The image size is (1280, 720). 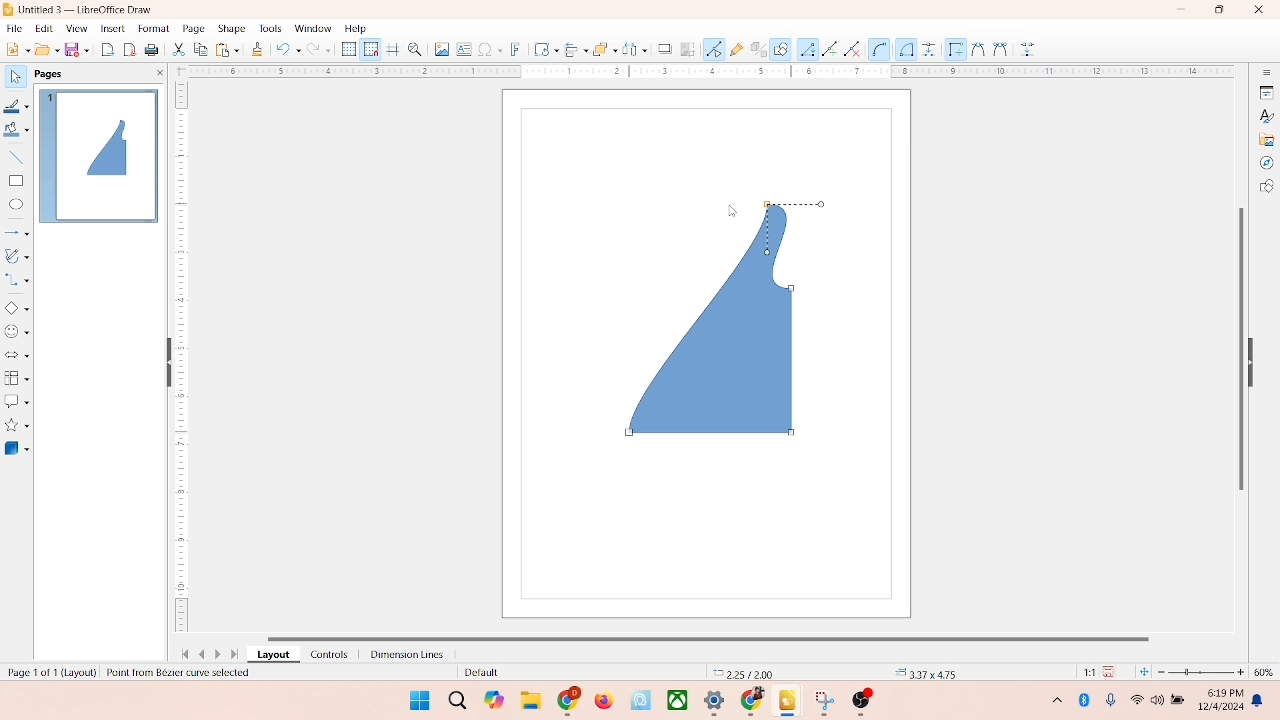 I want to click on hidden icons, so click(x=1047, y=703).